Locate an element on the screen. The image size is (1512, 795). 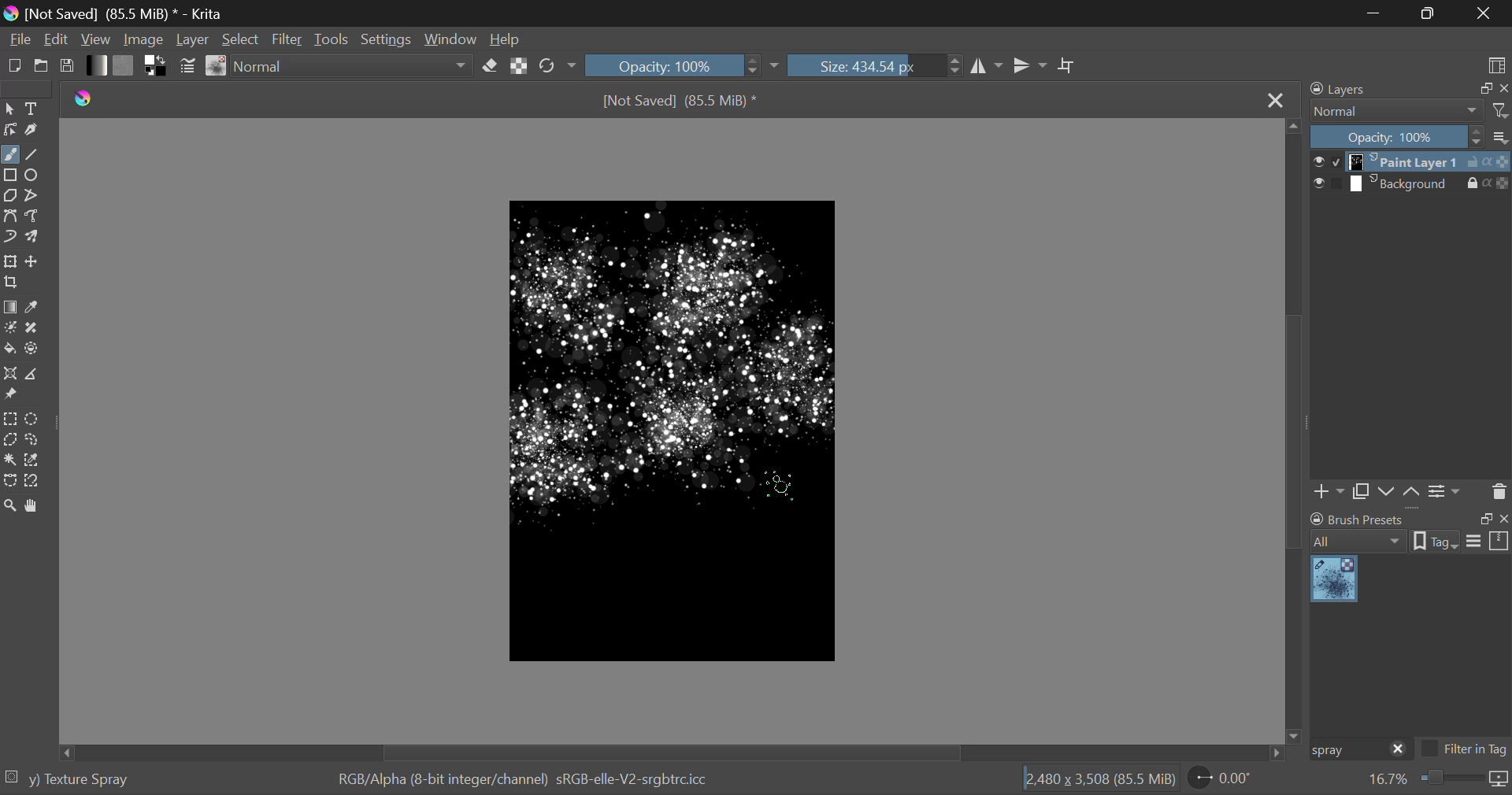
Choose Workspace is located at coordinates (1496, 65).